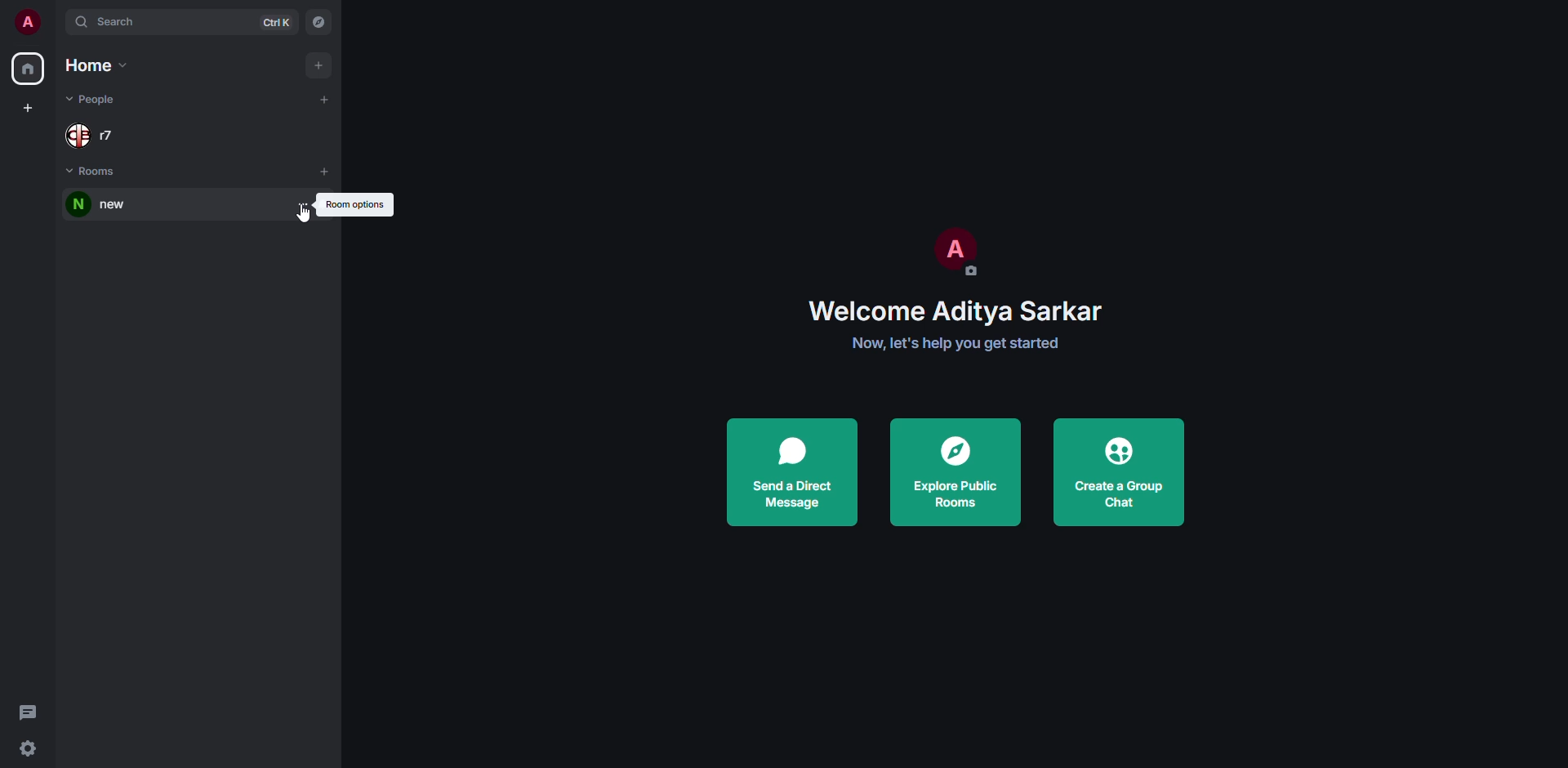  What do you see at coordinates (28, 69) in the screenshot?
I see `home` at bounding box center [28, 69].